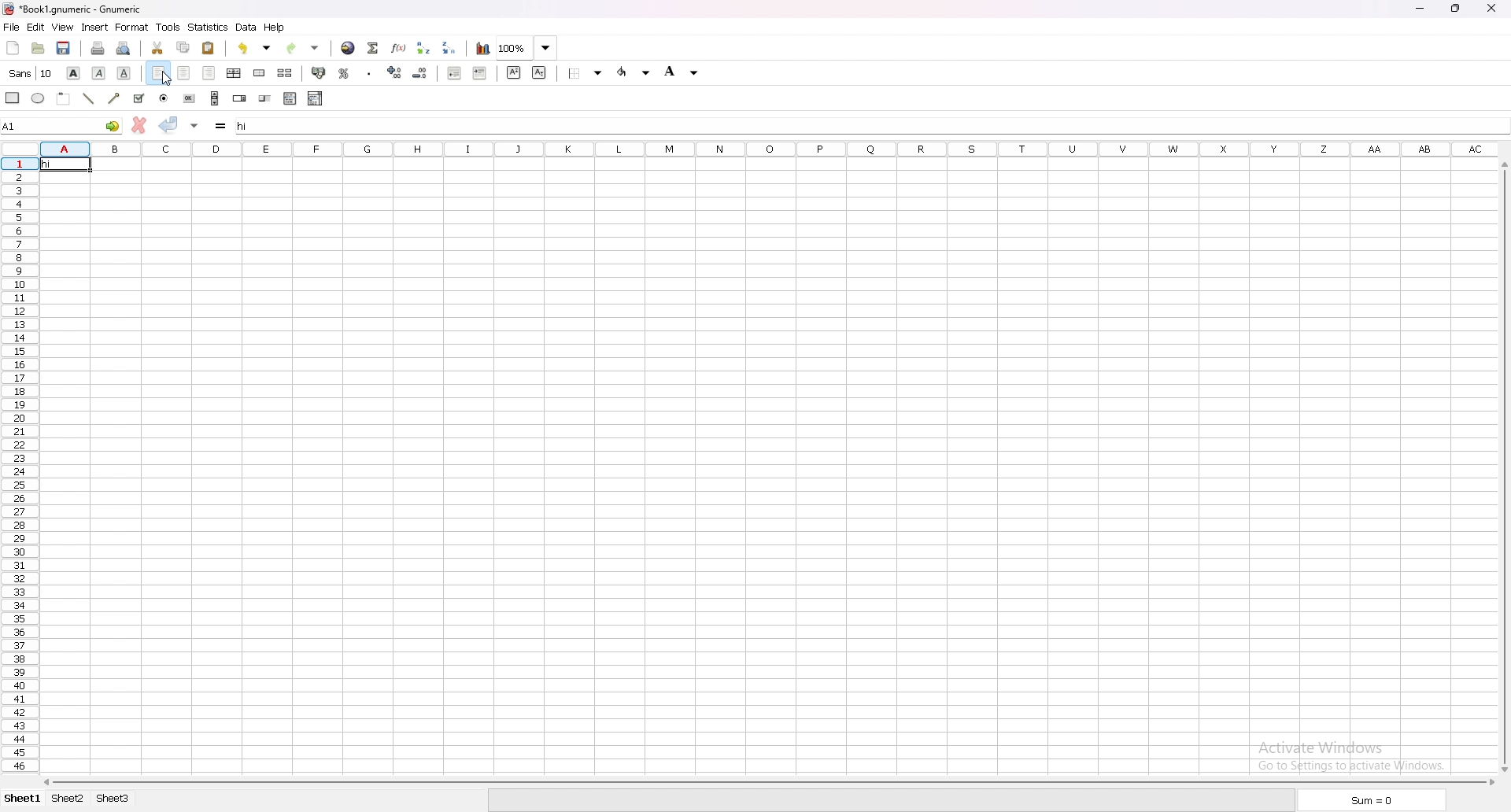 Image resolution: width=1511 pixels, height=812 pixels. Describe the element at coordinates (75, 9) in the screenshot. I see `file name` at that location.